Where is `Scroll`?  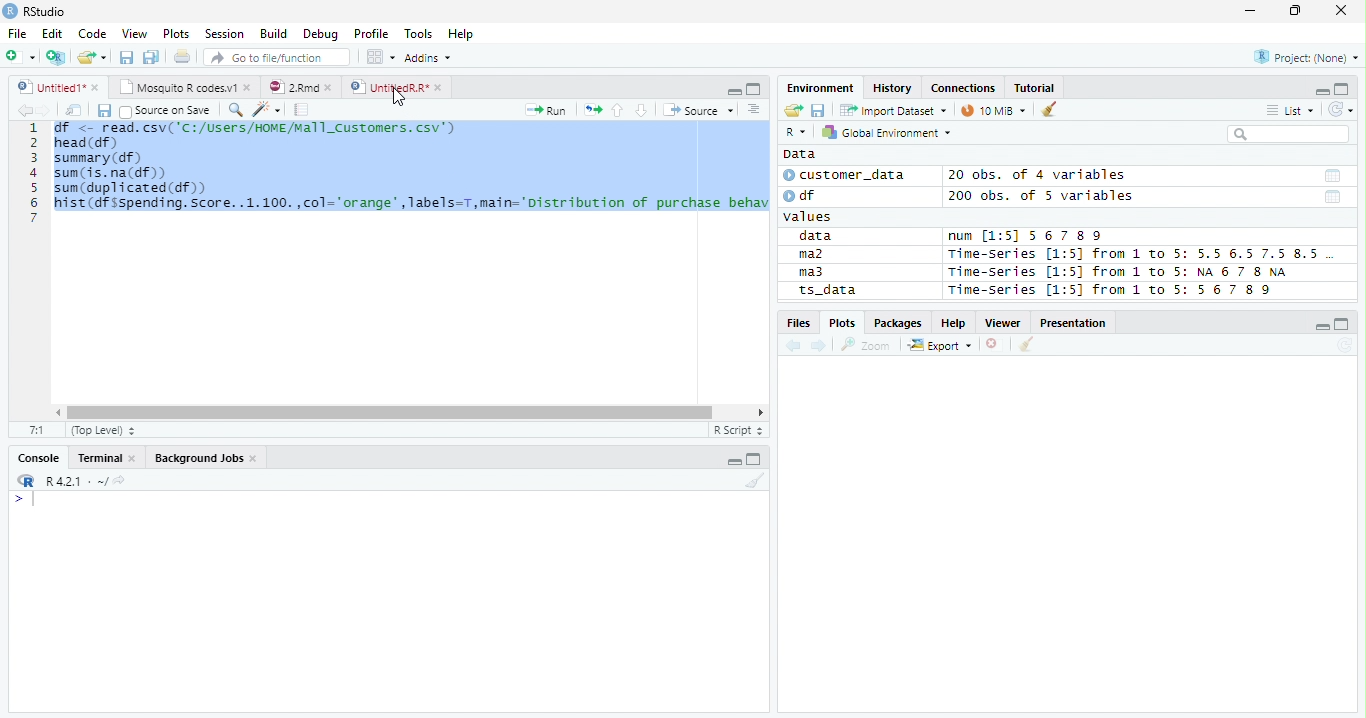
Scroll is located at coordinates (407, 414).